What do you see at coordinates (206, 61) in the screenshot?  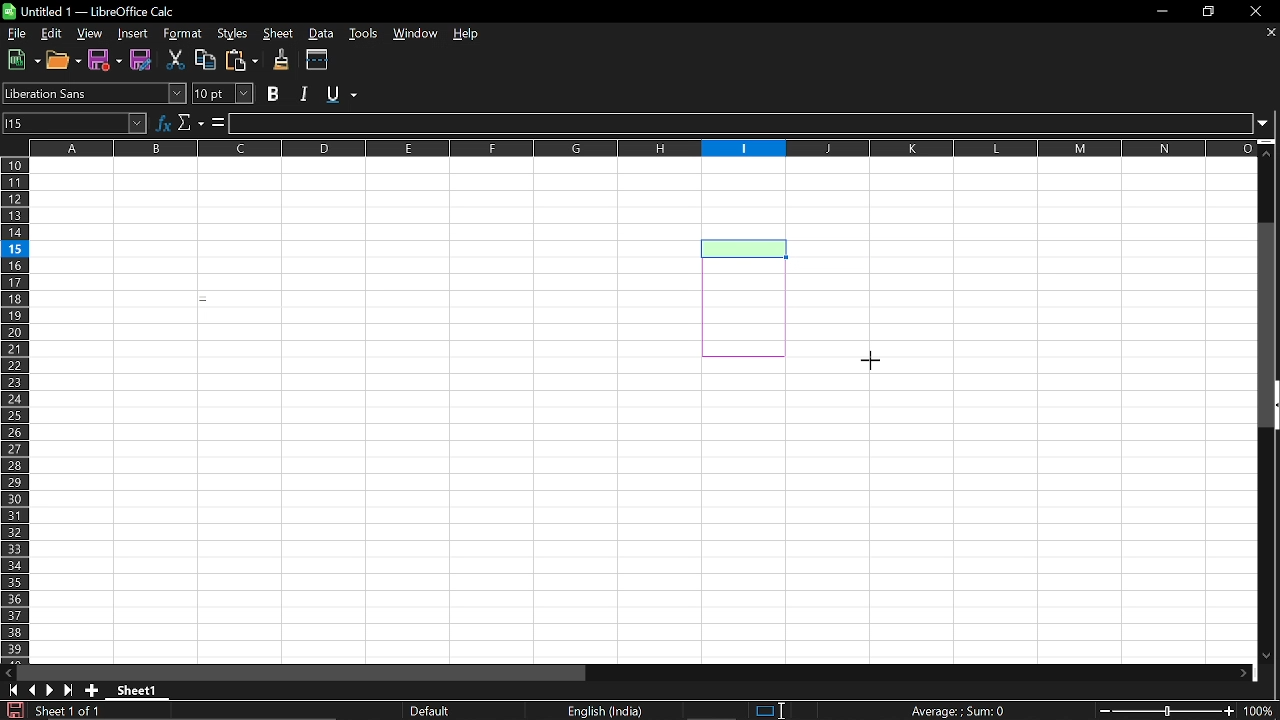 I see `Copy` at bounding box center [206, 61].